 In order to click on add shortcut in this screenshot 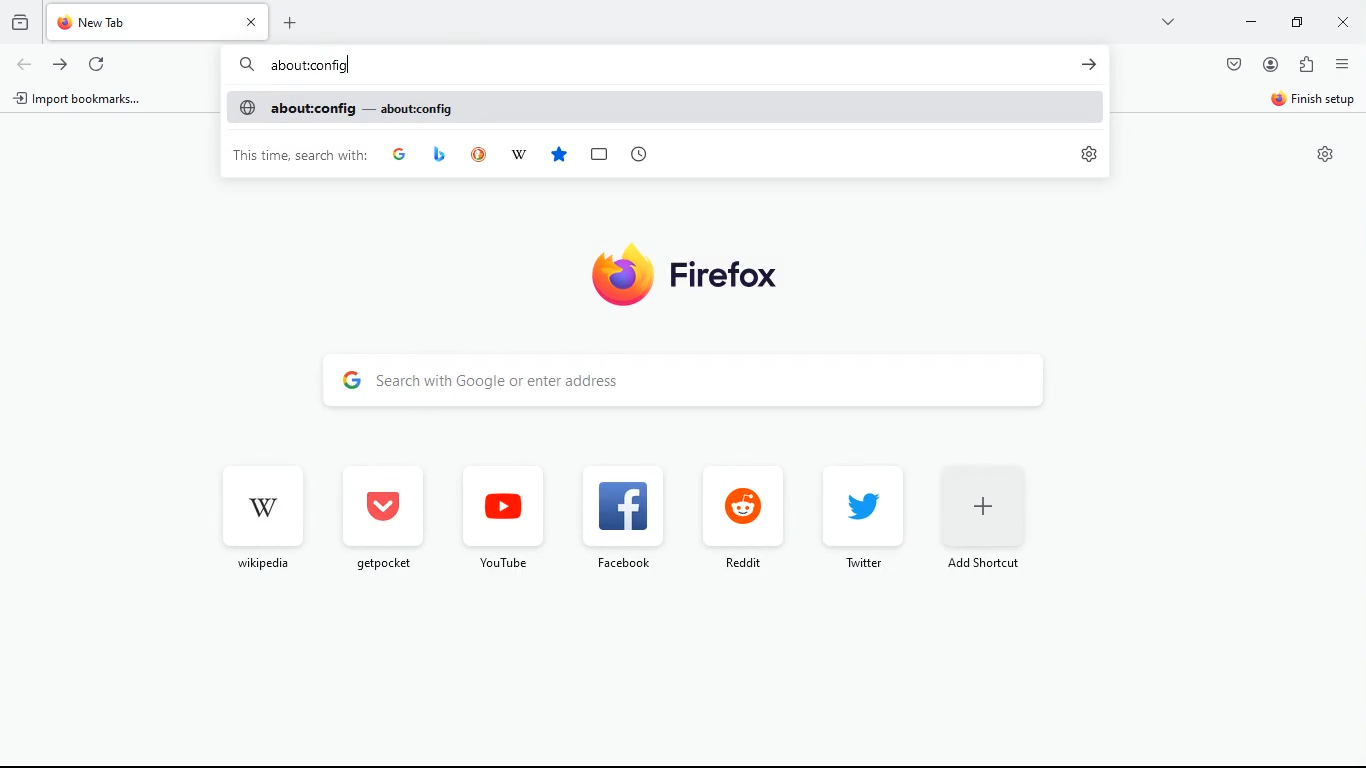, I will do `click(982, 522)`.